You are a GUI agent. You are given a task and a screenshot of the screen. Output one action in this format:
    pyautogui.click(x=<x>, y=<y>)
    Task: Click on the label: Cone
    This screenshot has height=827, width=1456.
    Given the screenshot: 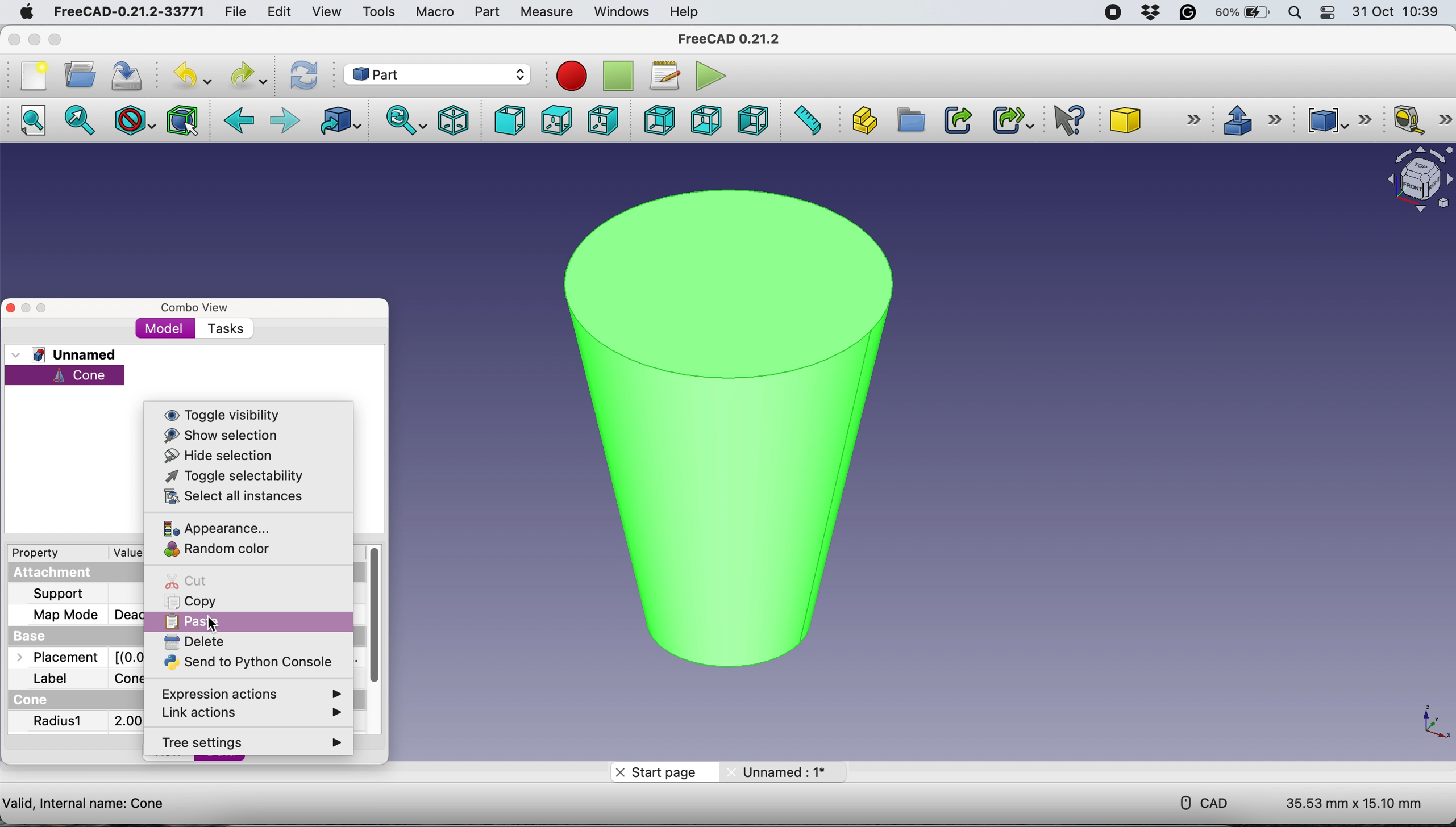 What is the action you would take?
    pyautogui.click(x=81, y=679)
    